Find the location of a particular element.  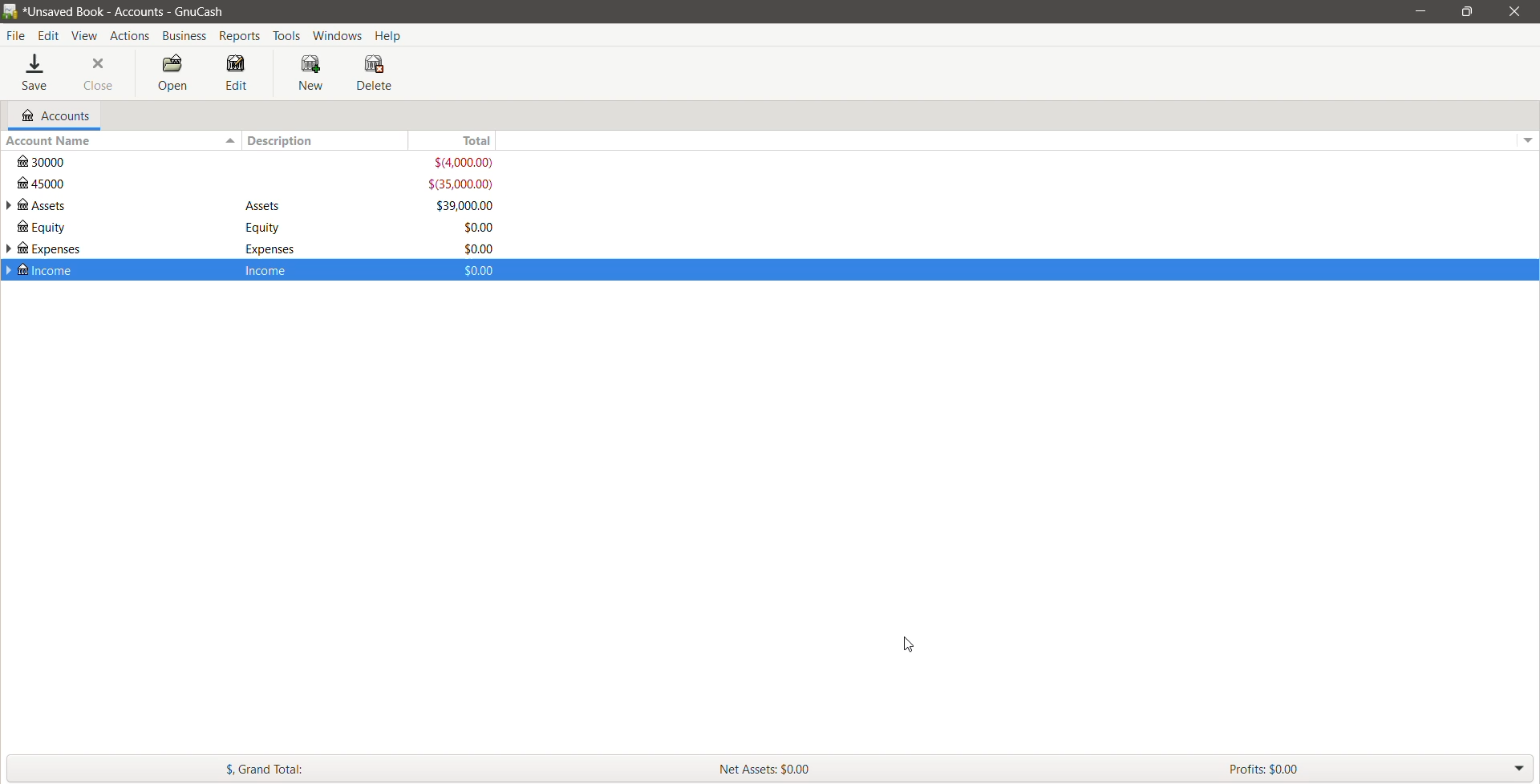

Profits is located at coordinates (1380, 768).